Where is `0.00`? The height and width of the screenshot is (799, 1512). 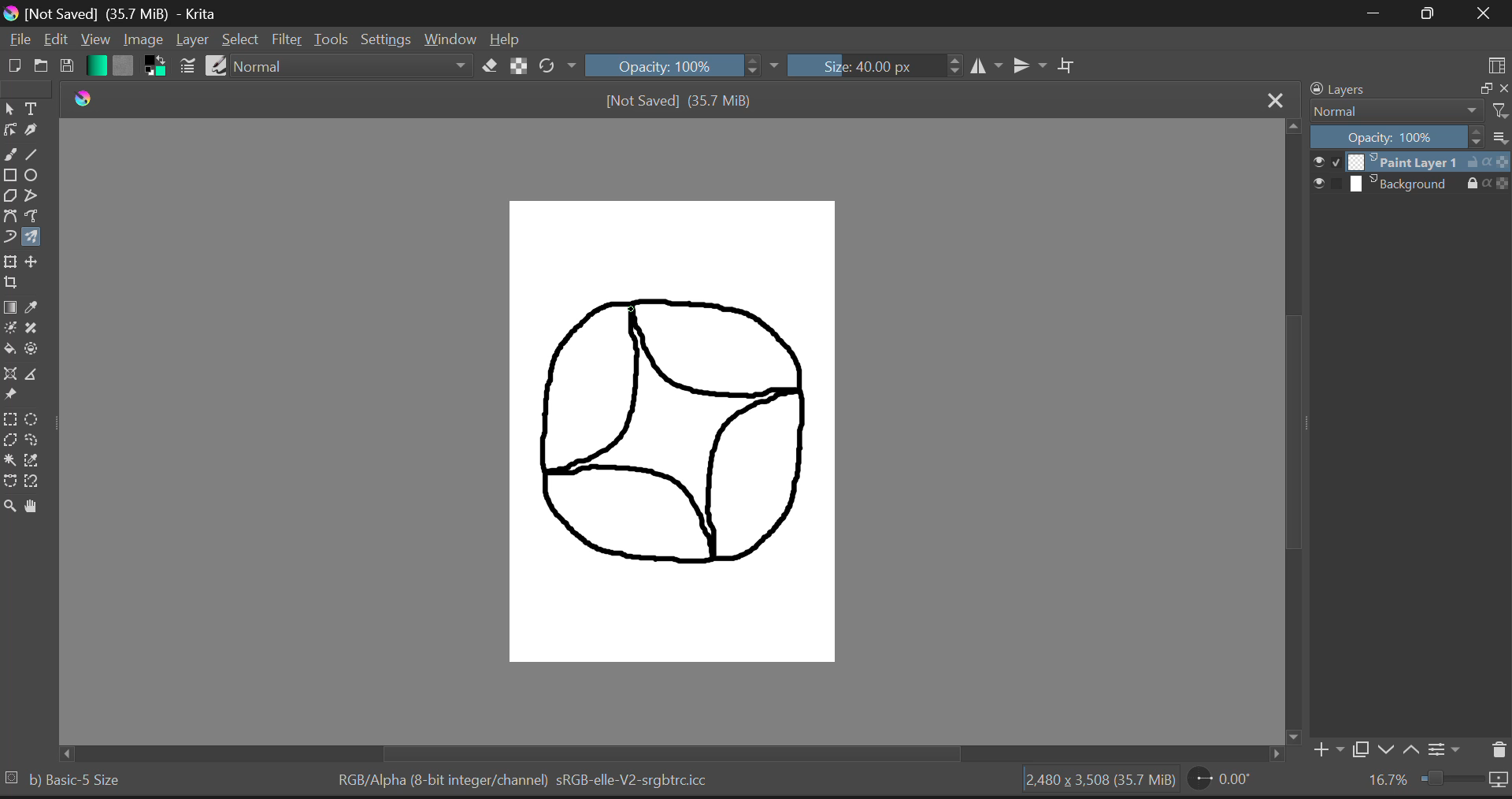
0.00 is located at coordinates (1222, 782).